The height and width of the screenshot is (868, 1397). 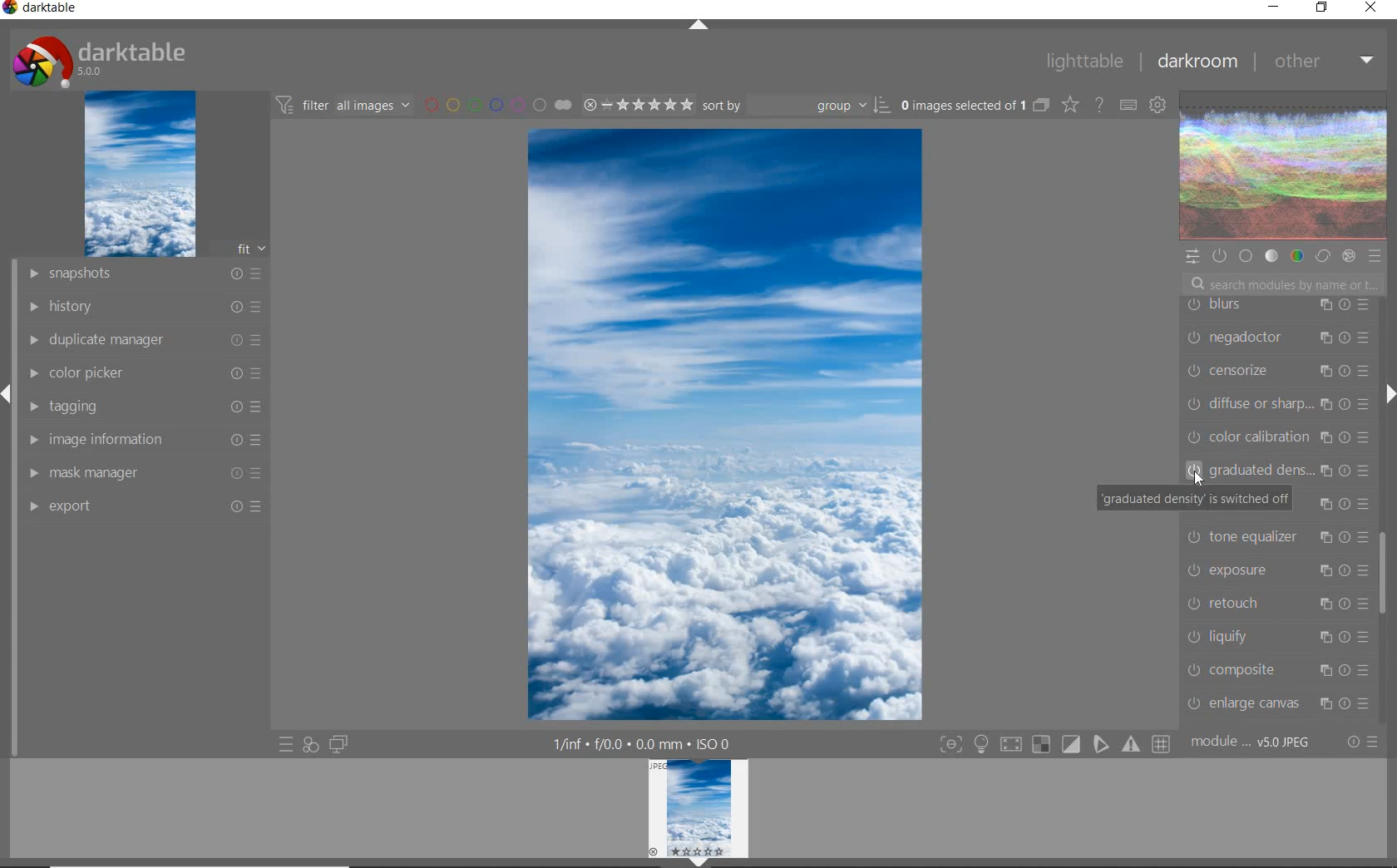 I want to click on IMAGE INFORMATION, so click(x=147, y=439).